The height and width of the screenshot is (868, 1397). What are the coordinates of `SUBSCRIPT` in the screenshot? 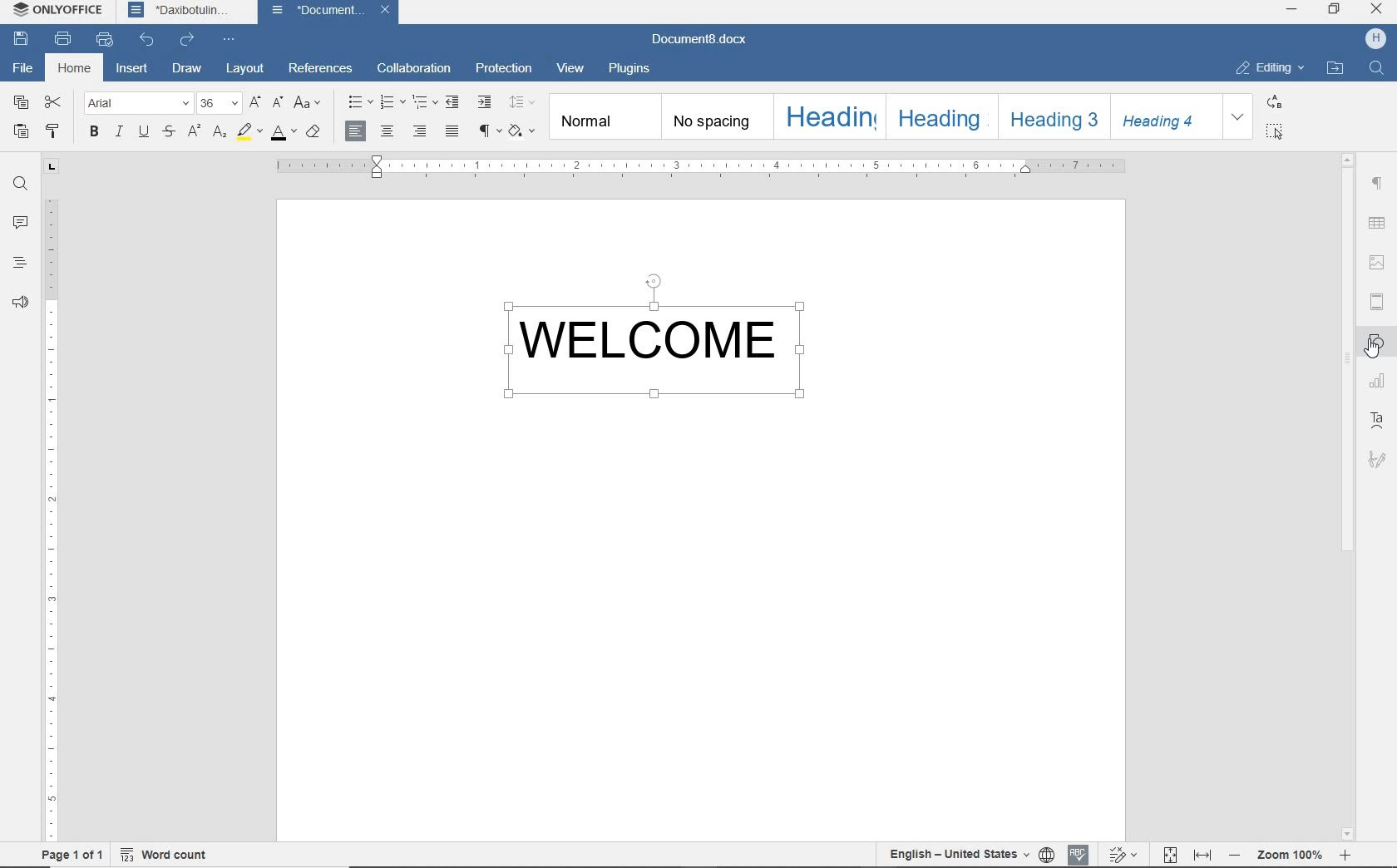 It's located at (220, 131).